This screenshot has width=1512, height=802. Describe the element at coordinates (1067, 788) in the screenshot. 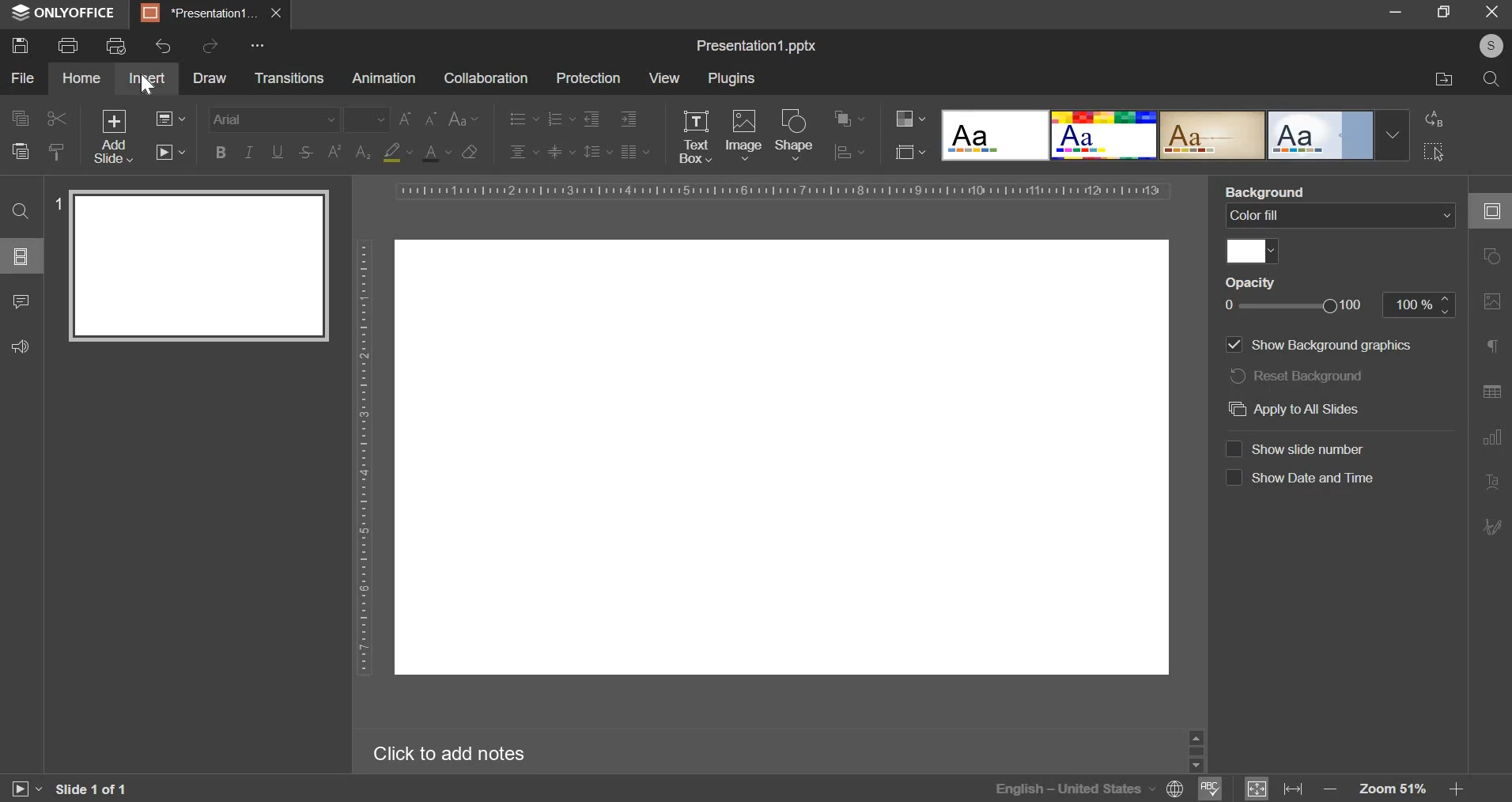

I see `language` at that location.